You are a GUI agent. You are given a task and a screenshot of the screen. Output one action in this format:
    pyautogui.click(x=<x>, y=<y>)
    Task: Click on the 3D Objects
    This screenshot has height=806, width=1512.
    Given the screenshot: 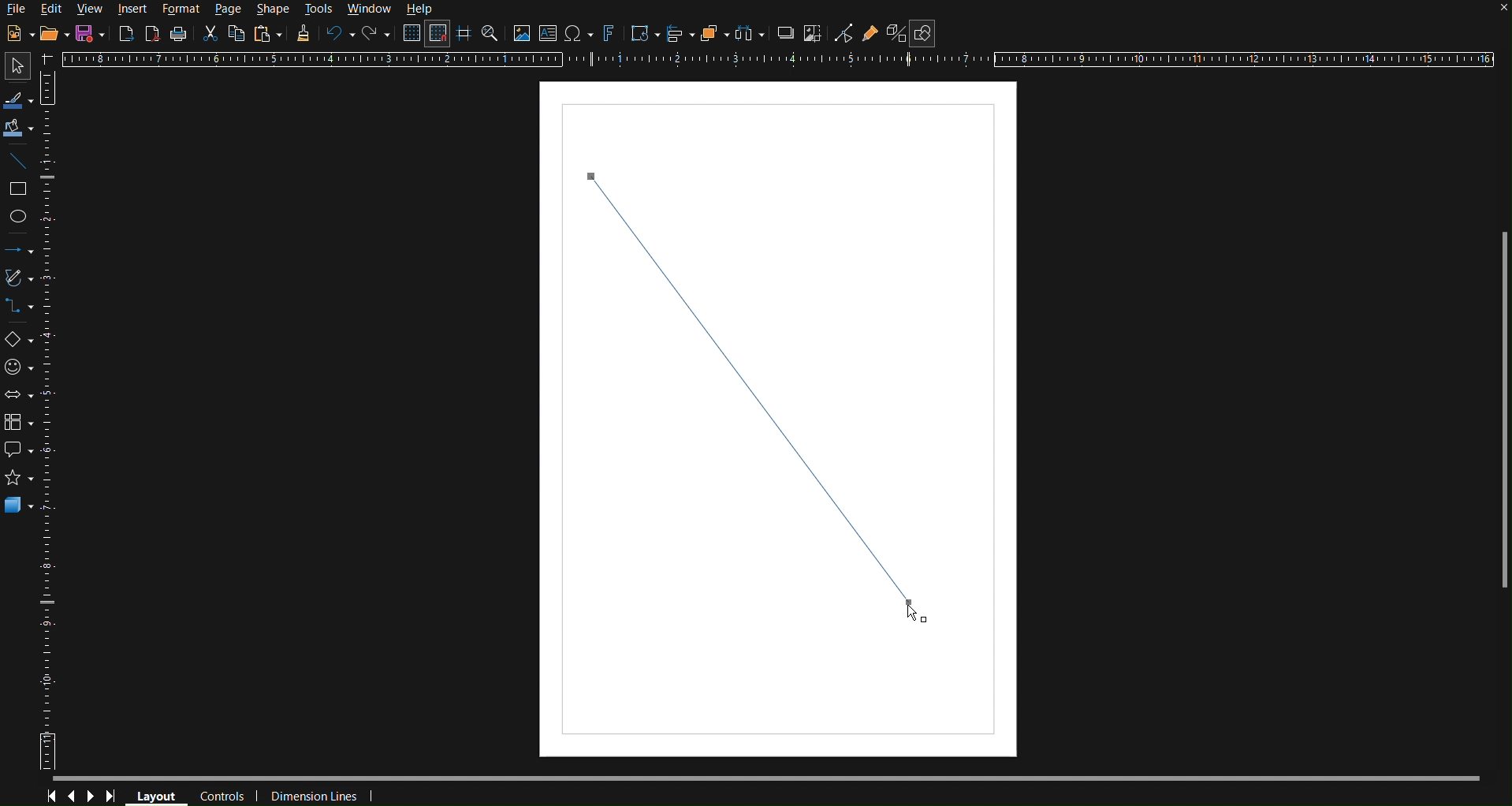 What is the action you would take?
    pyautogui.click(x=19, y=504)
    